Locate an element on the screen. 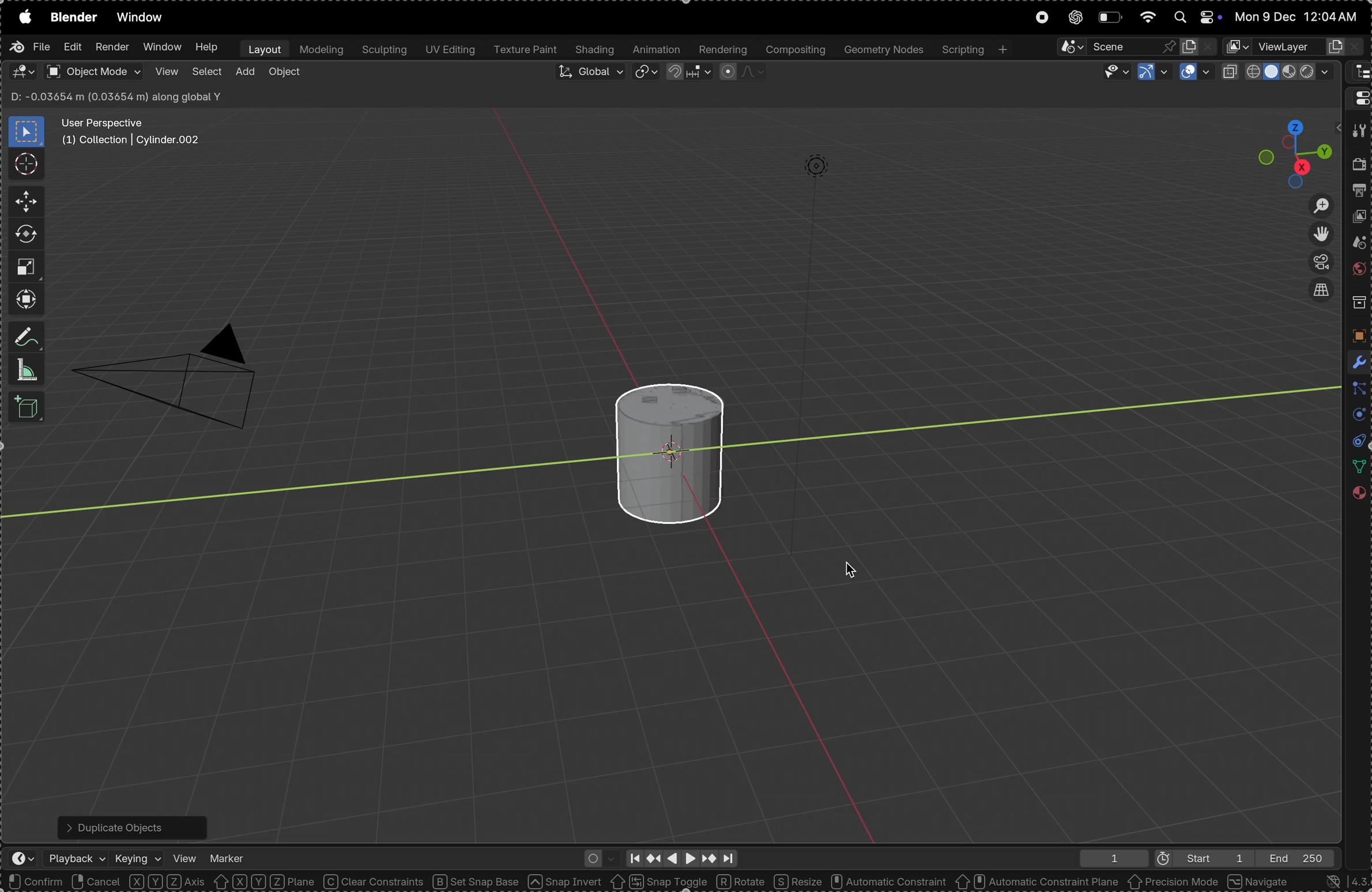  battery is located at coordinates (1109, 17).